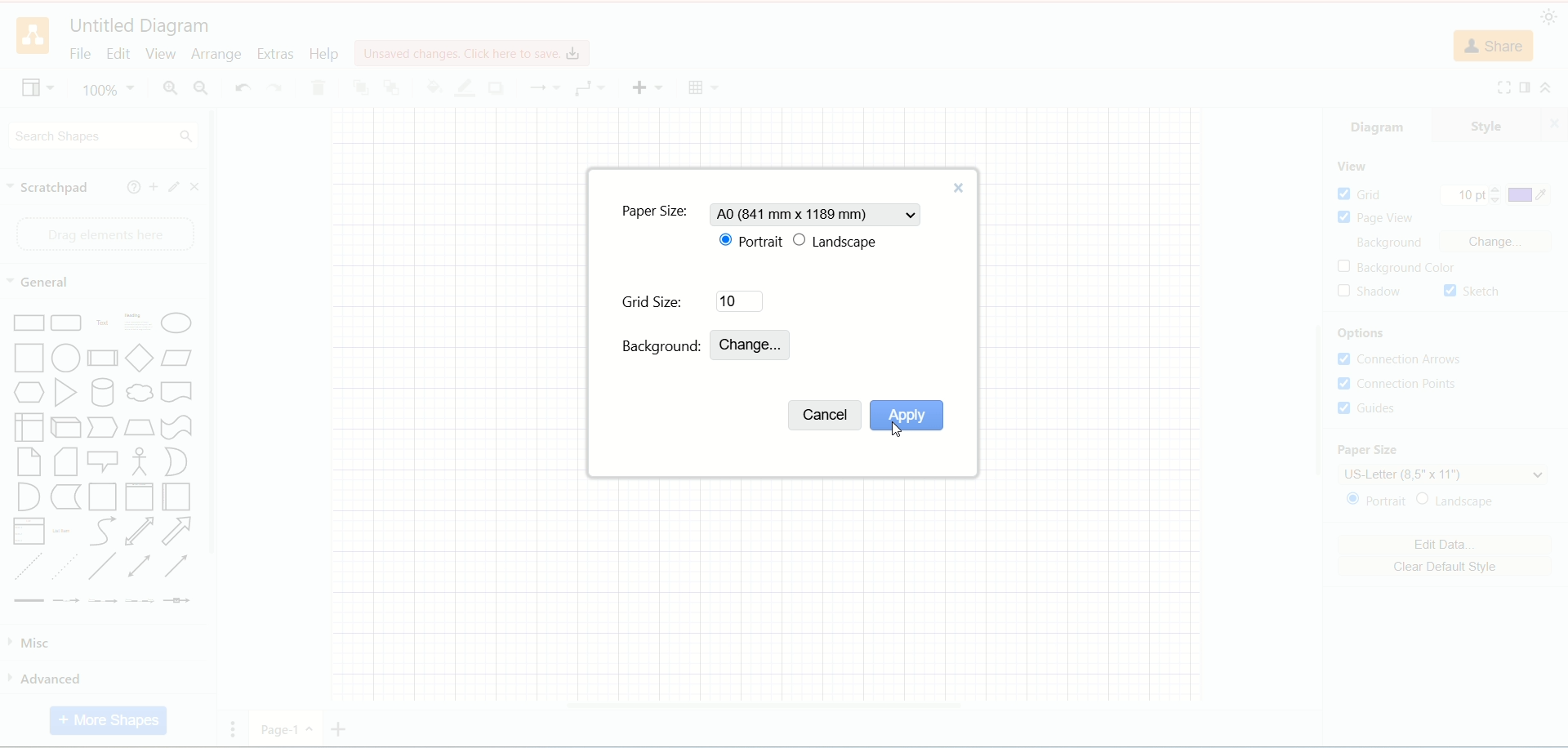 The image size is (1568, 748). I want to click on Hexagon, so click(30, 394).